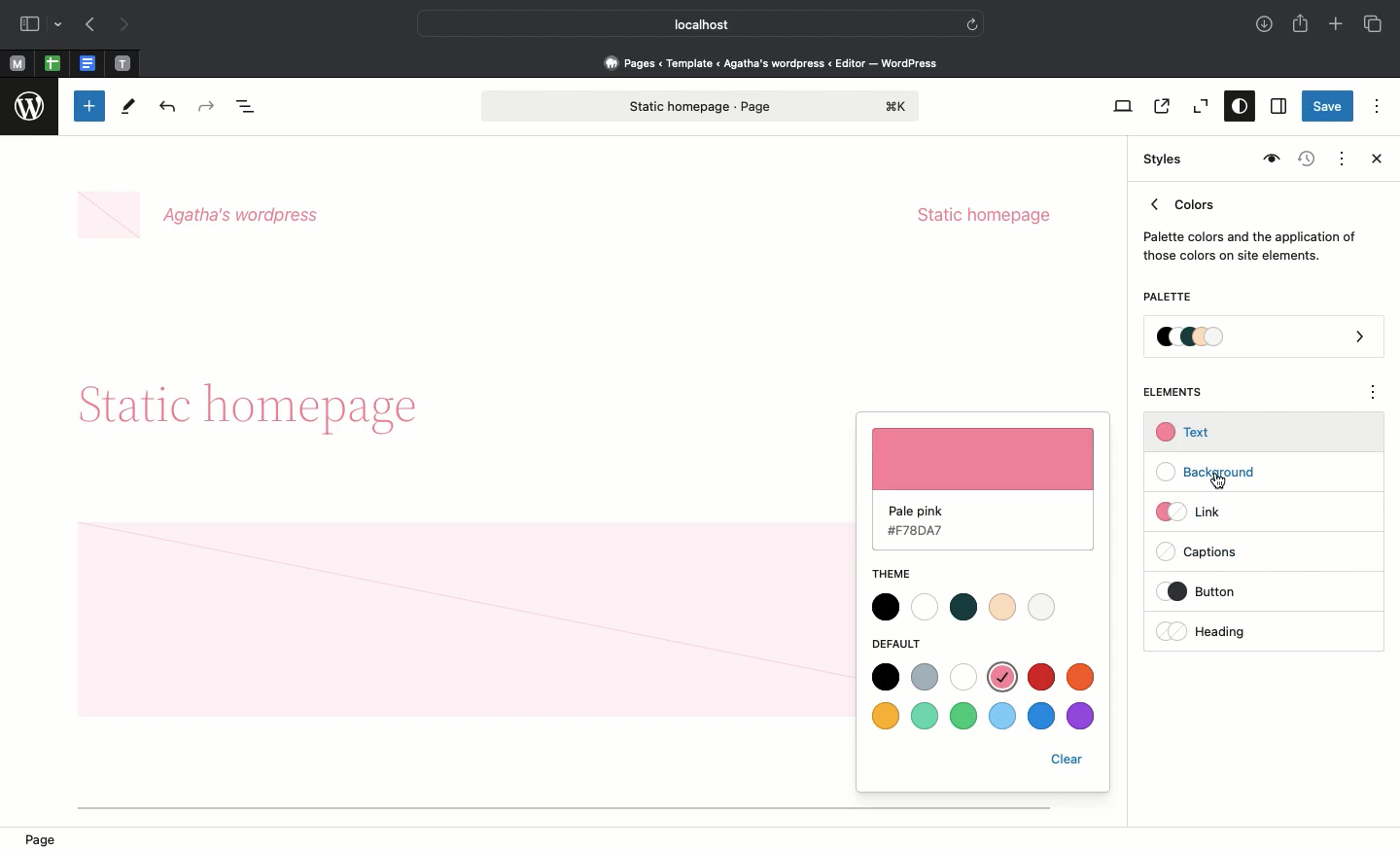 The image size is (1400, 850). What do you see at coordinates (1266, 26) in the screenshot?
I see `Downloads` at bounding box center [1266, 26].